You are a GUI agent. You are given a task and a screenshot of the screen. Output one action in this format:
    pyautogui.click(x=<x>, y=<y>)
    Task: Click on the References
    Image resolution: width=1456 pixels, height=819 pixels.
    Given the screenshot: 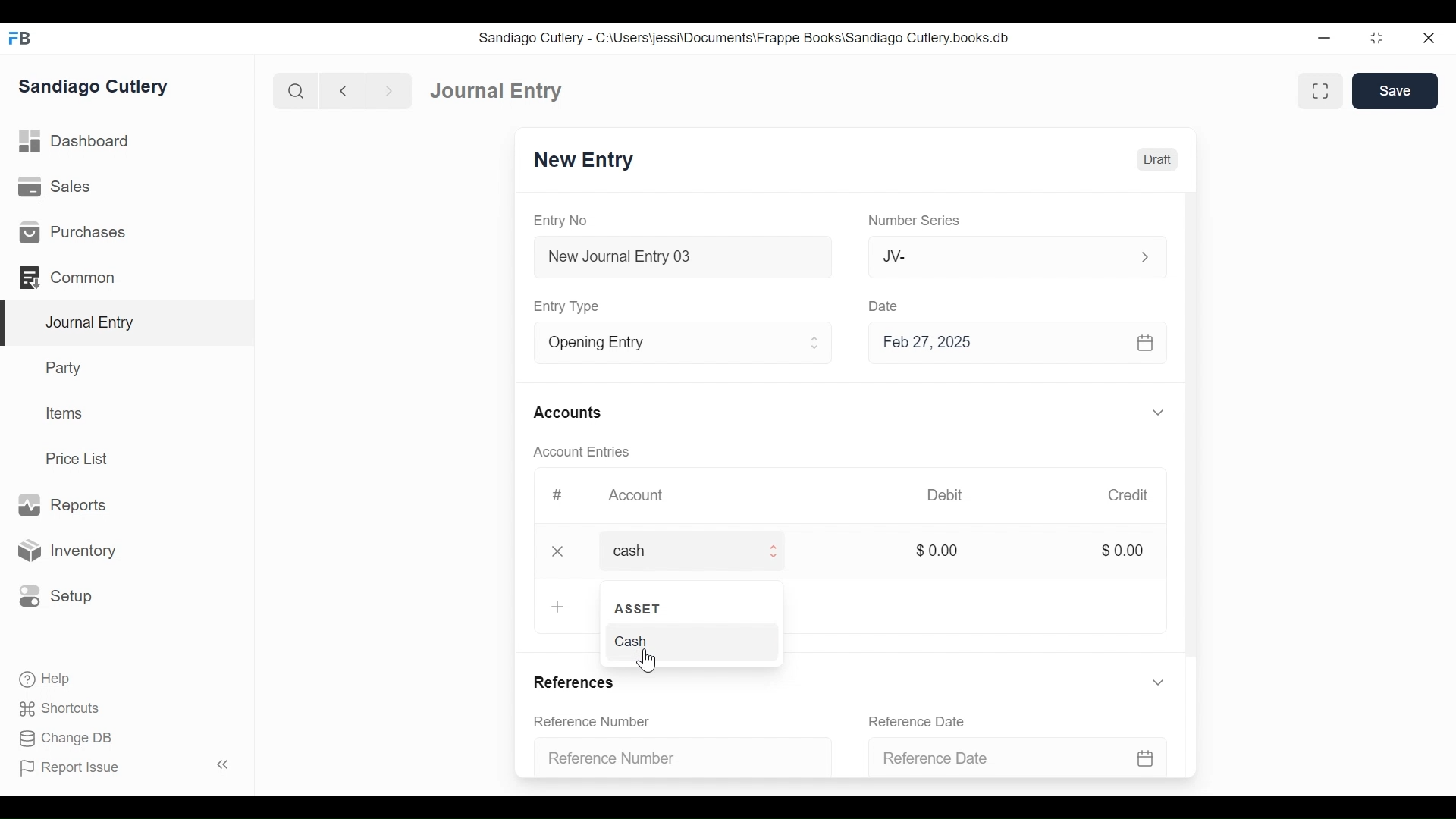 What is the action you would take?
    pyautogui.click(x=580, y=680)
    